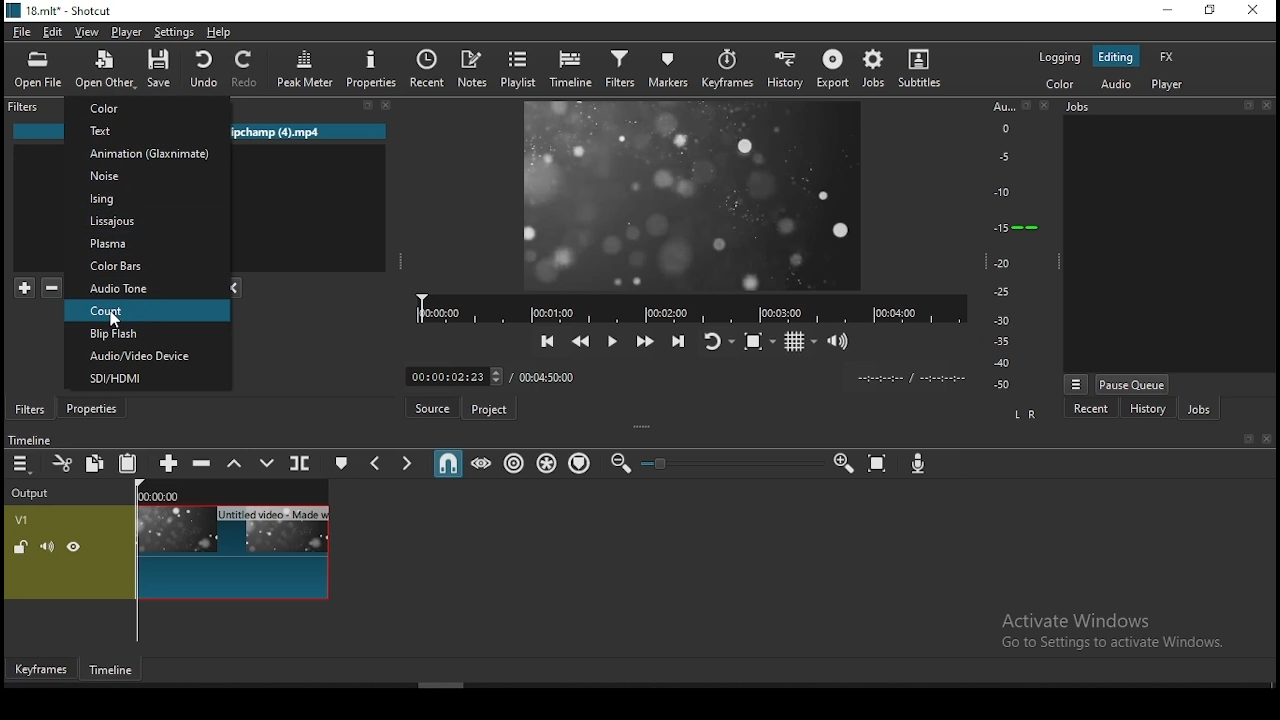  Describe the element at coordinates (51, 436) in the screenshot. I see `Timeline` at that location.